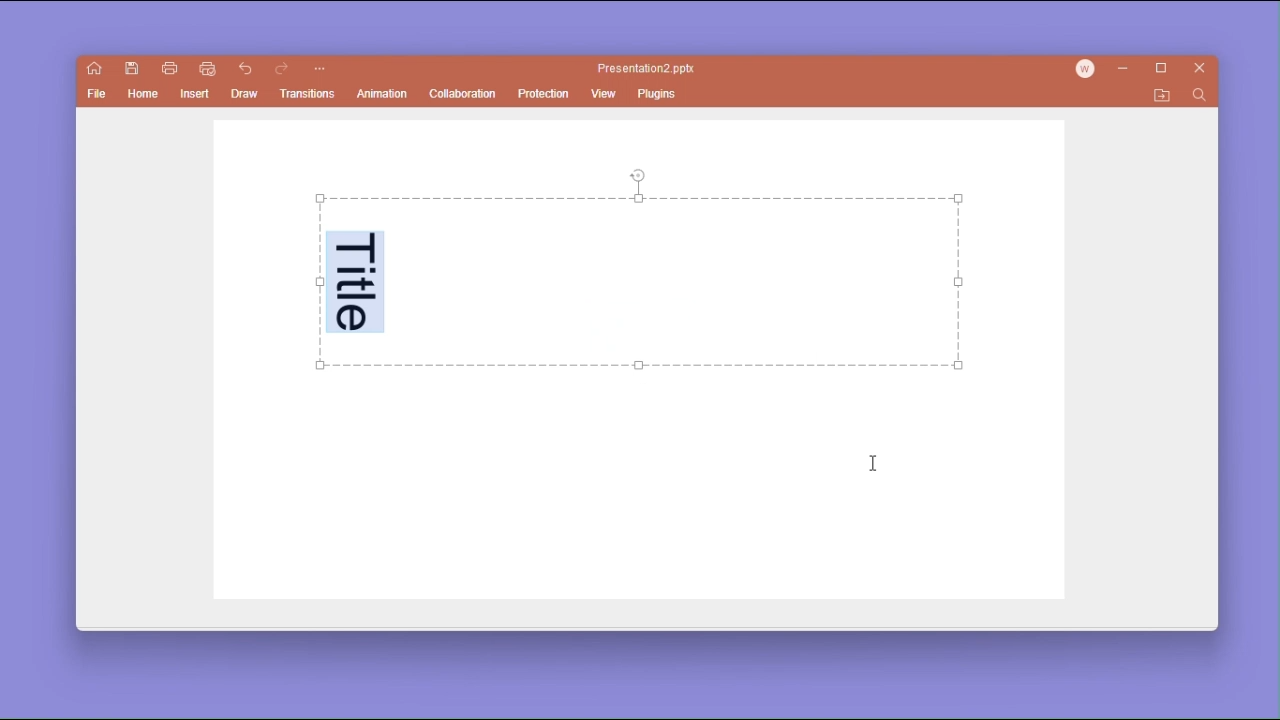 This screenshot has height=720, width=1280. Describe the element at coordinates (1089, 69) in the screenshot. I see `account icon` at that location.